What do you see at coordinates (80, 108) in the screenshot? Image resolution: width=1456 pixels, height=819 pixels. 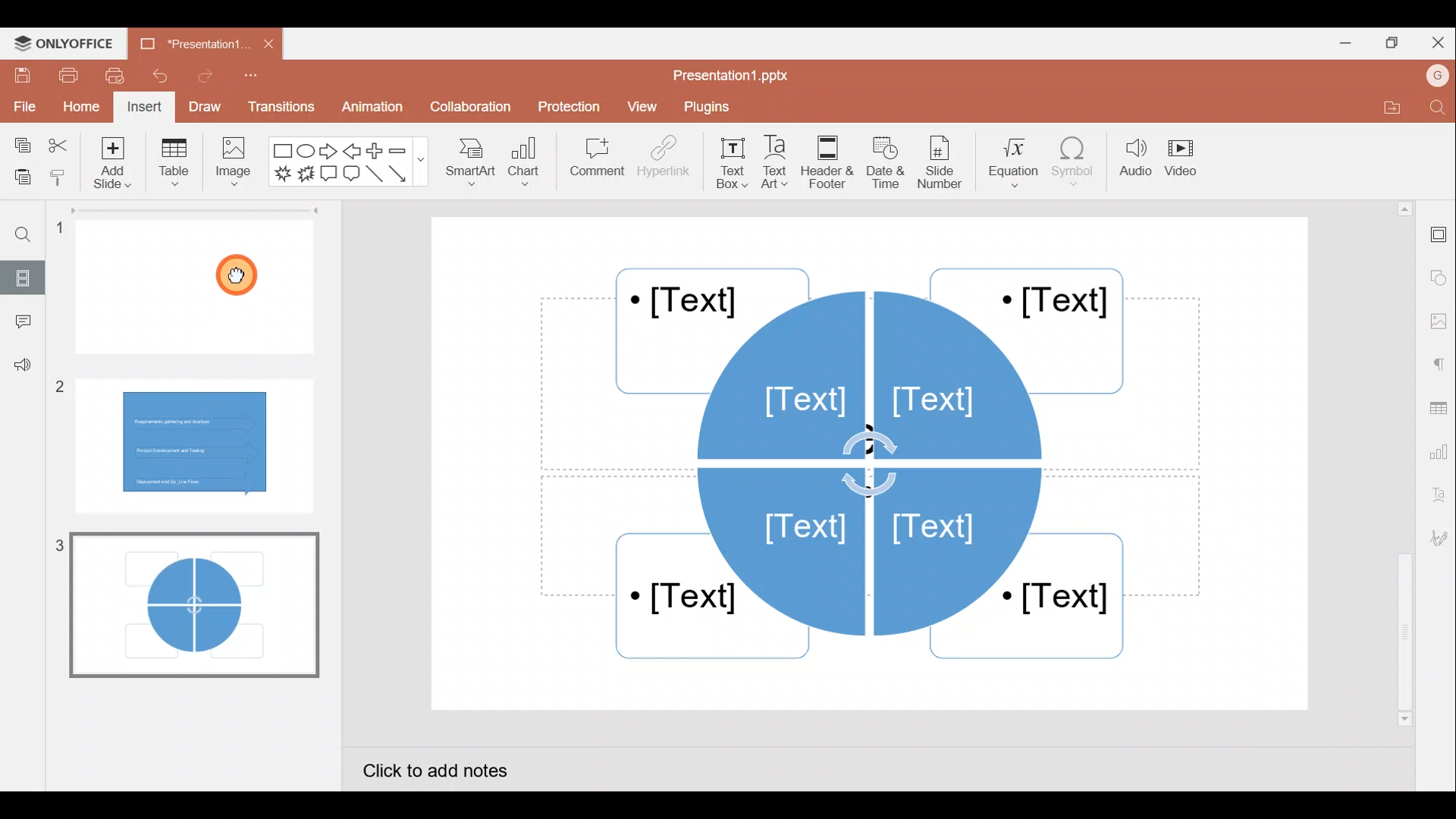 I see `Home` at bounding box center [80, 108].